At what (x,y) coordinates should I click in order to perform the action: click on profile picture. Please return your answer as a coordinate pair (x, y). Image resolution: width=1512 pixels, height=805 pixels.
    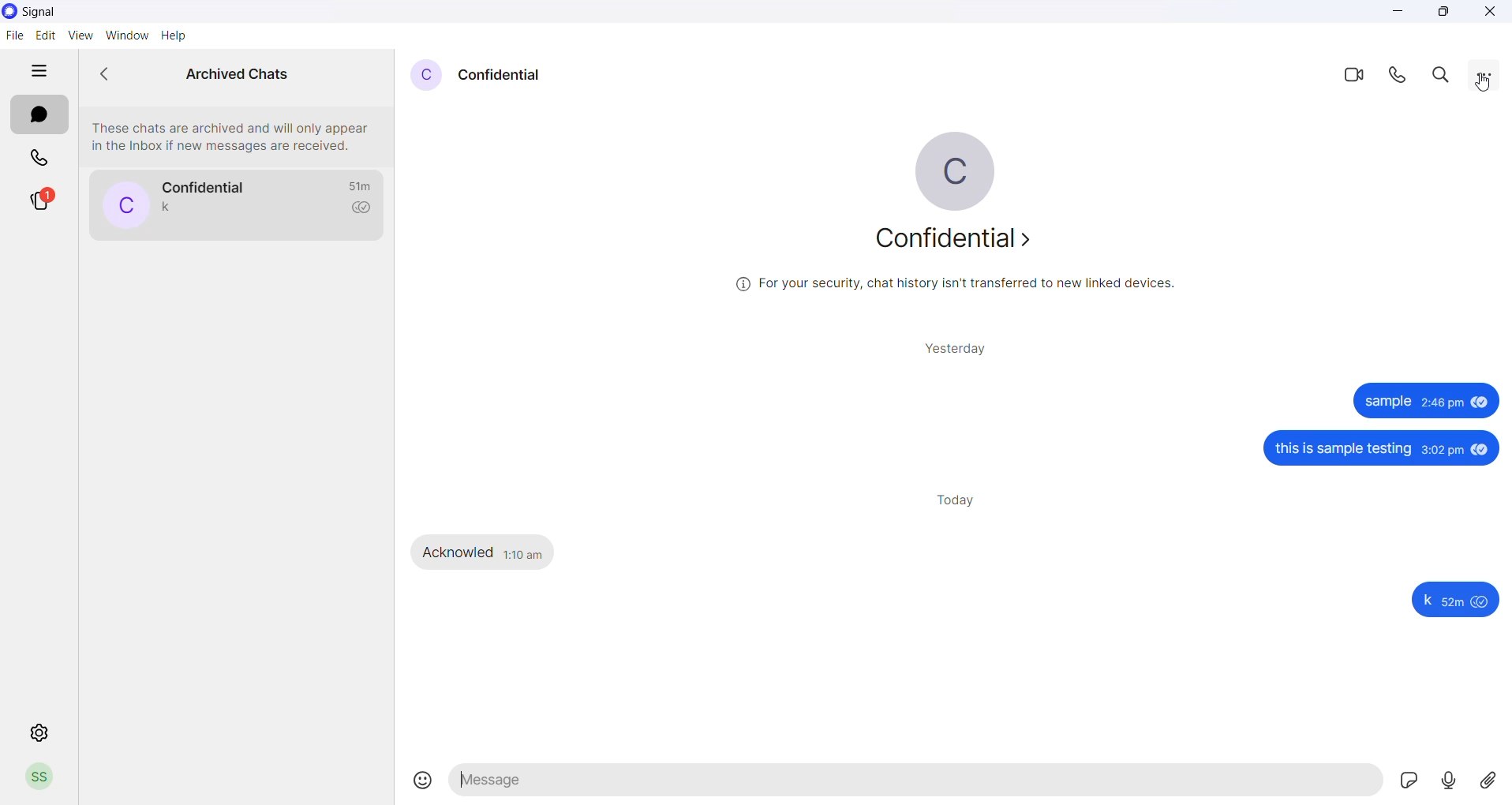
    Looking at the image, I should click on (122, 205).